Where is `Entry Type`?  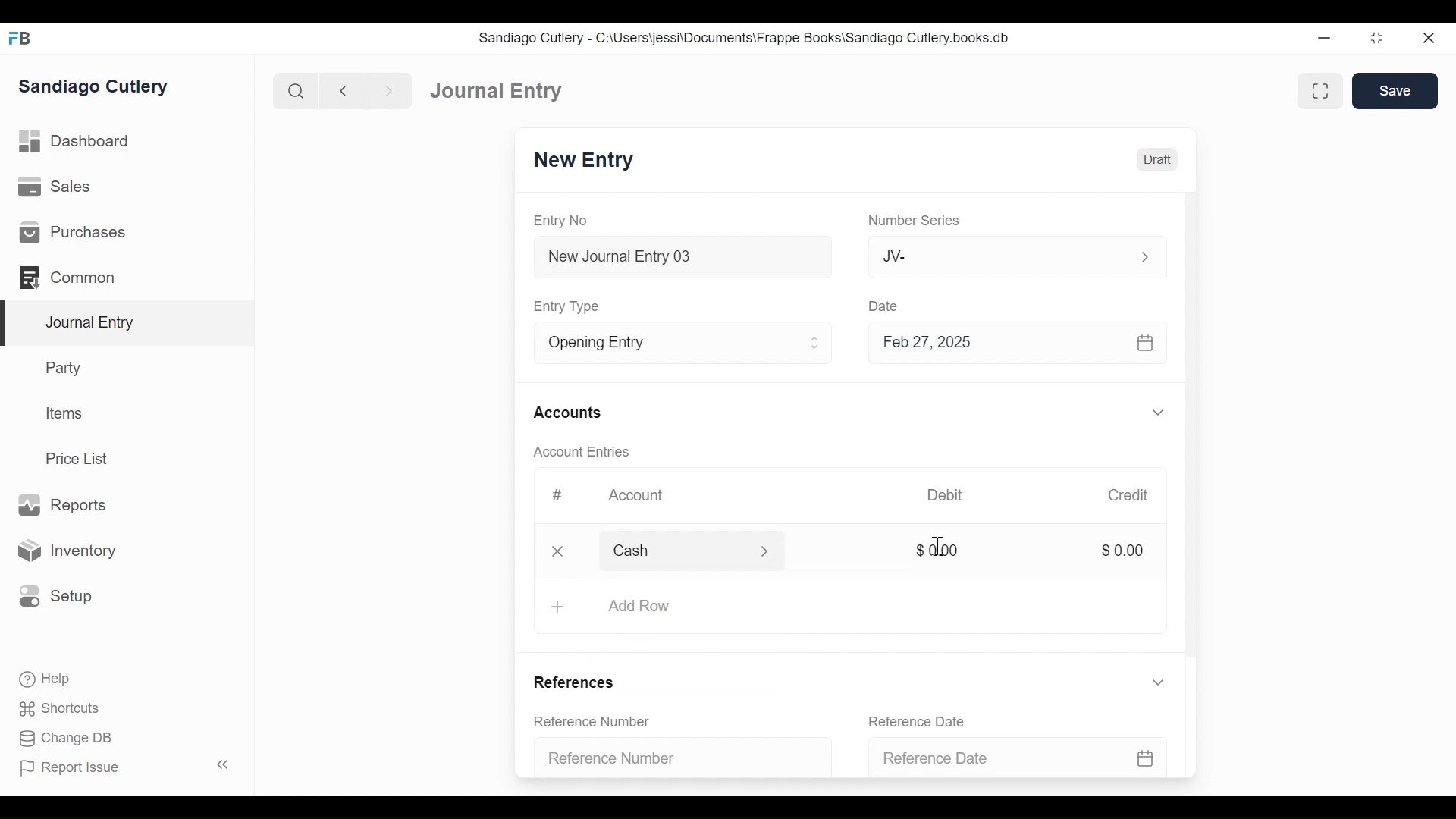
Entry Type is located at coordinates (663, 343).